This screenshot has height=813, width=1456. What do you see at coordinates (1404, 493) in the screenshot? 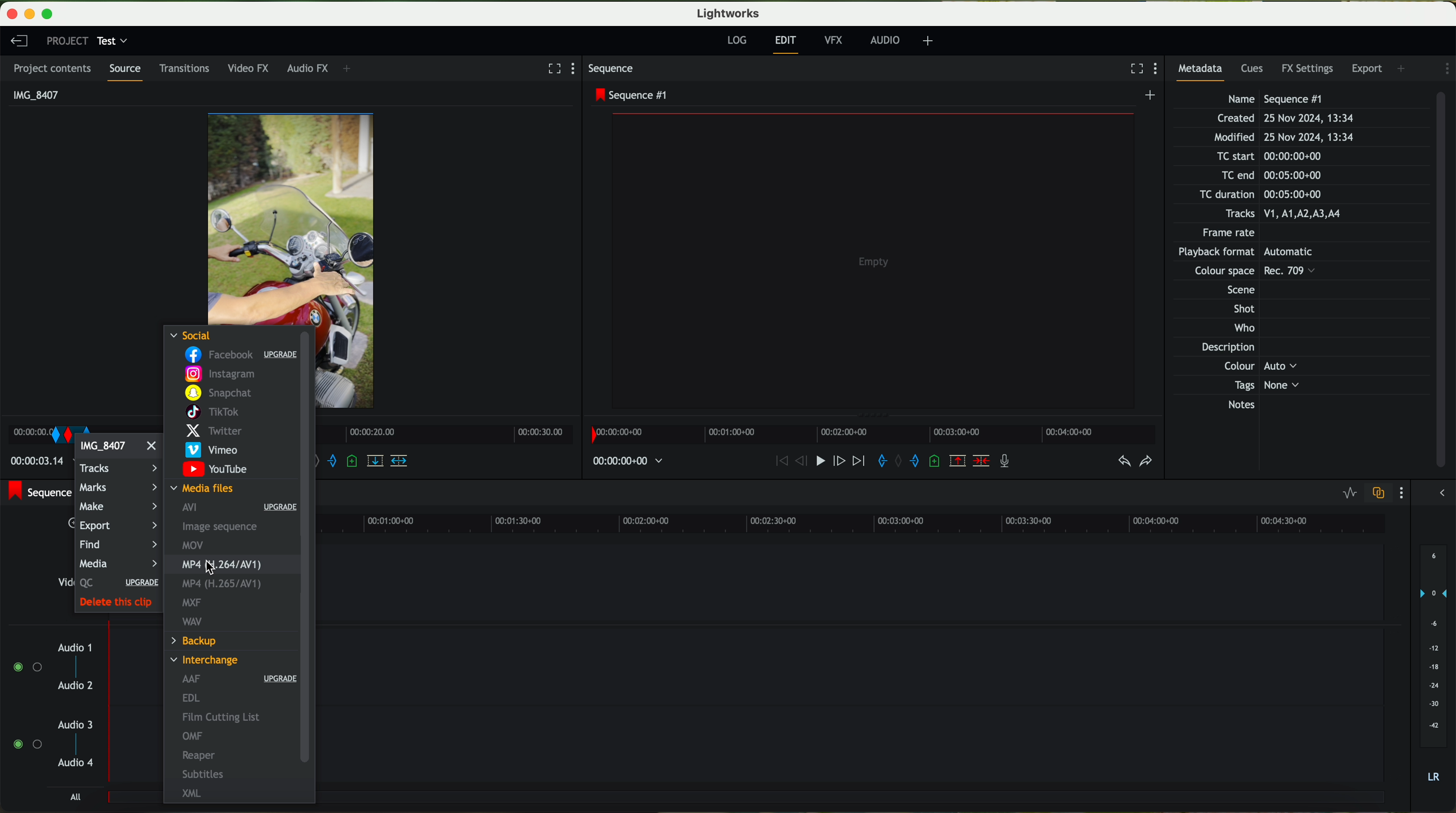
I see `show settings menu` at bounding box center [1404, 493].